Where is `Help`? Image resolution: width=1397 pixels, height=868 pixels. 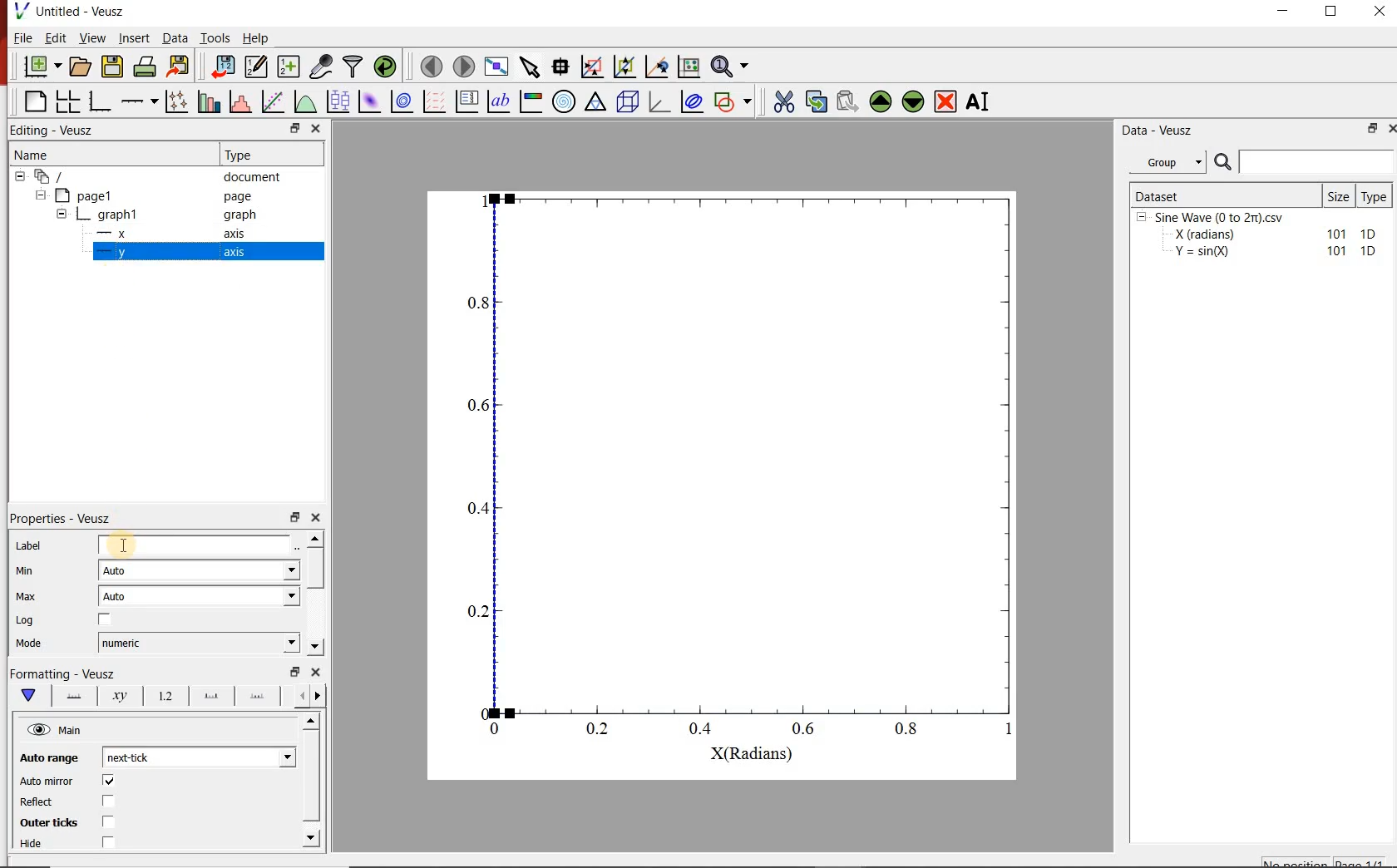
Help is located at coordinates (255, 38).